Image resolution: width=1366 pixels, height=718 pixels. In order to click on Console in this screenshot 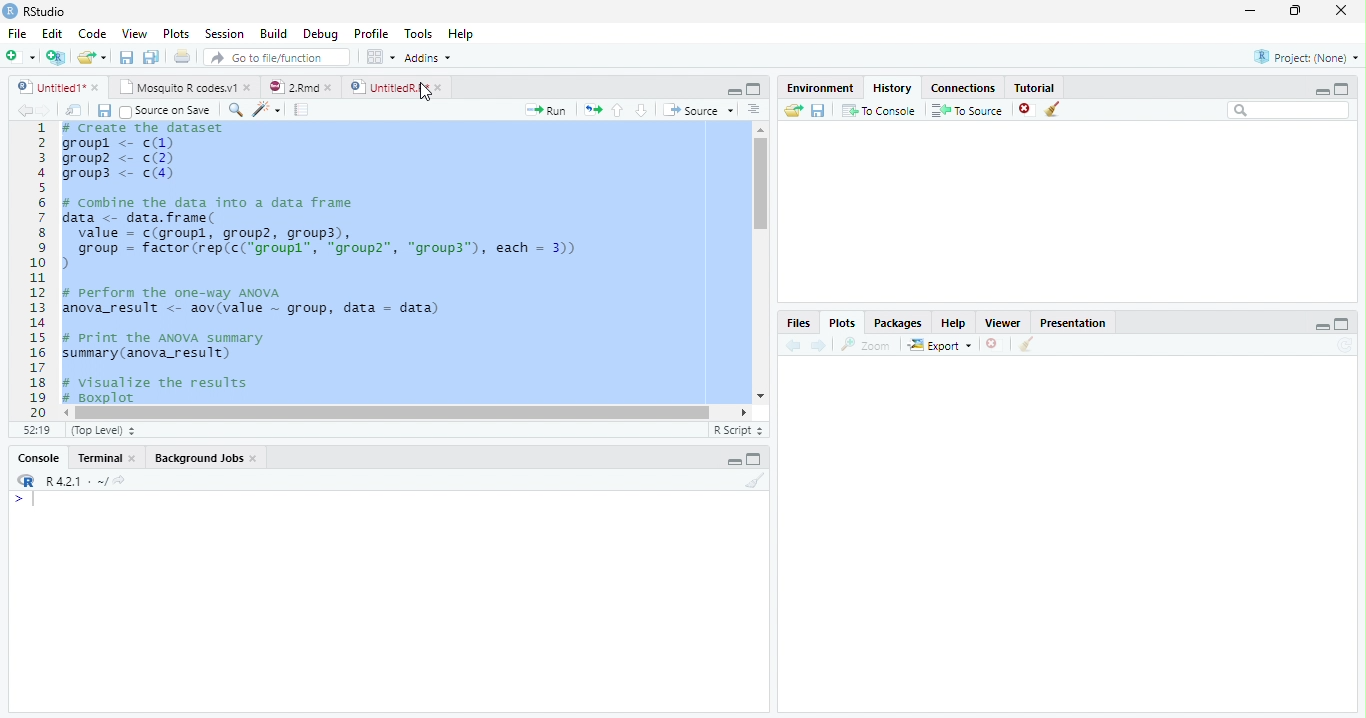, I will do `click(38, 460)`.